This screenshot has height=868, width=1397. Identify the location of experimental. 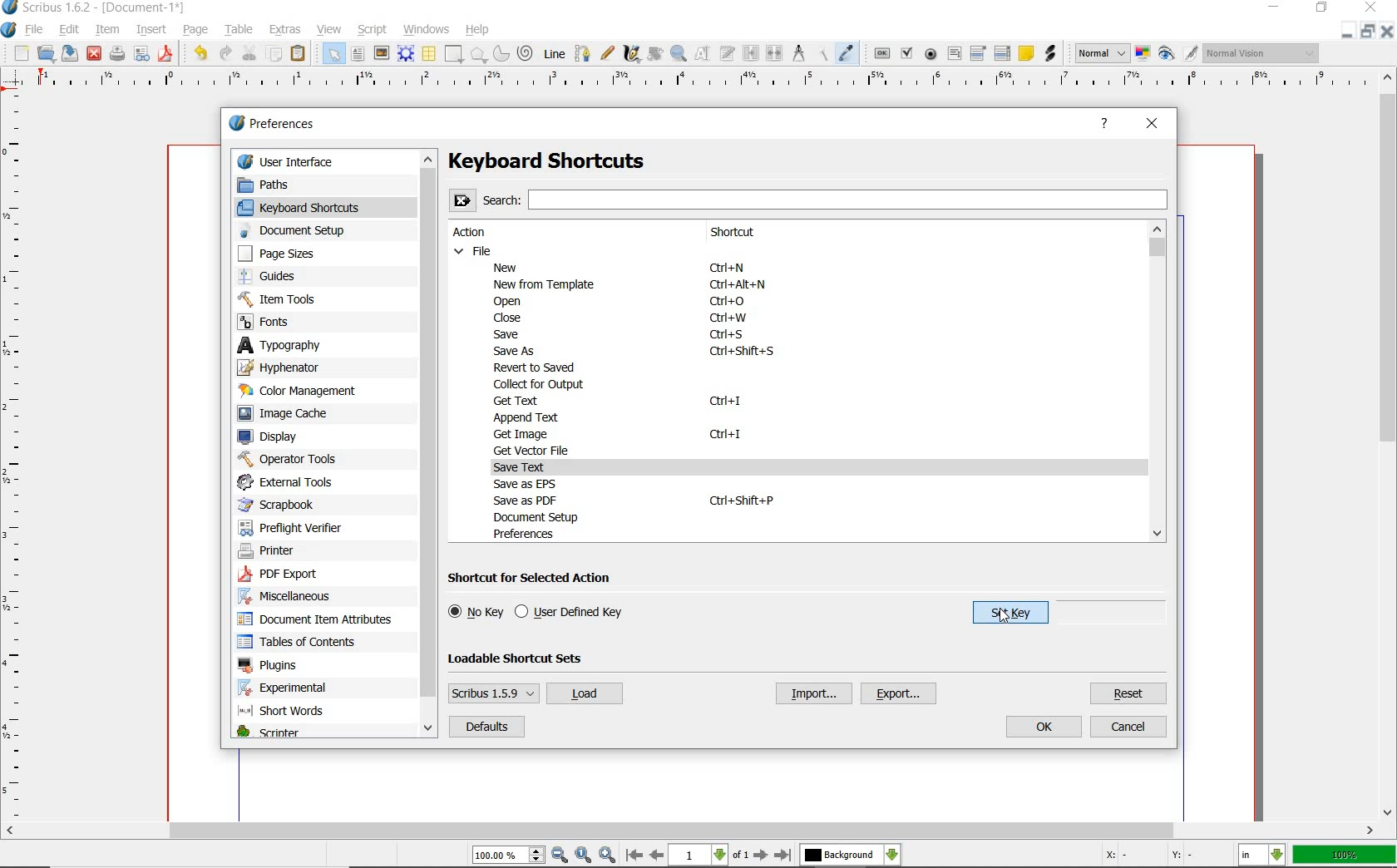
(304, 688).